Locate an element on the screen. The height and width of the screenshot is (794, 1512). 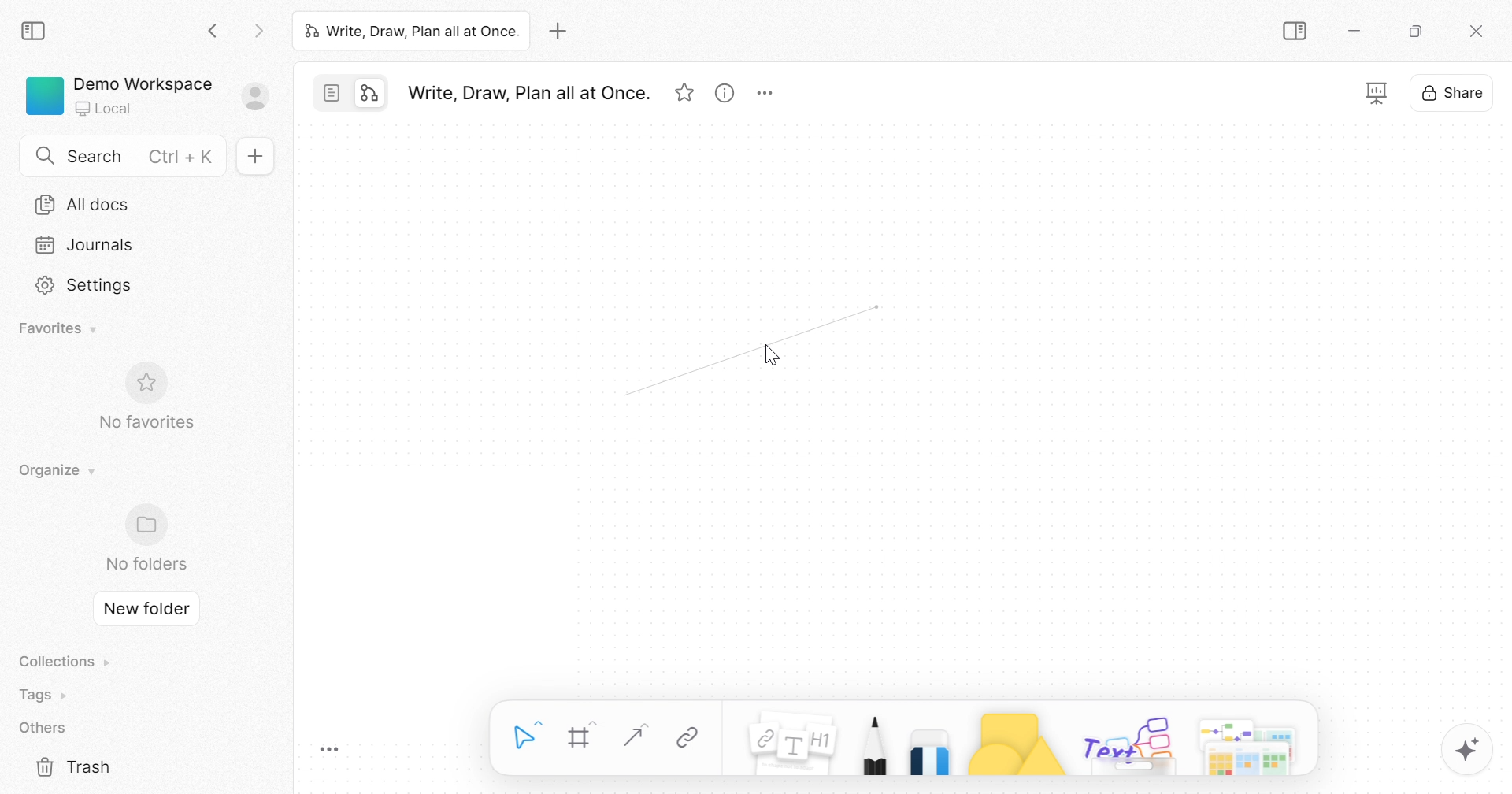
Straight is located at coordinates (632, 736).